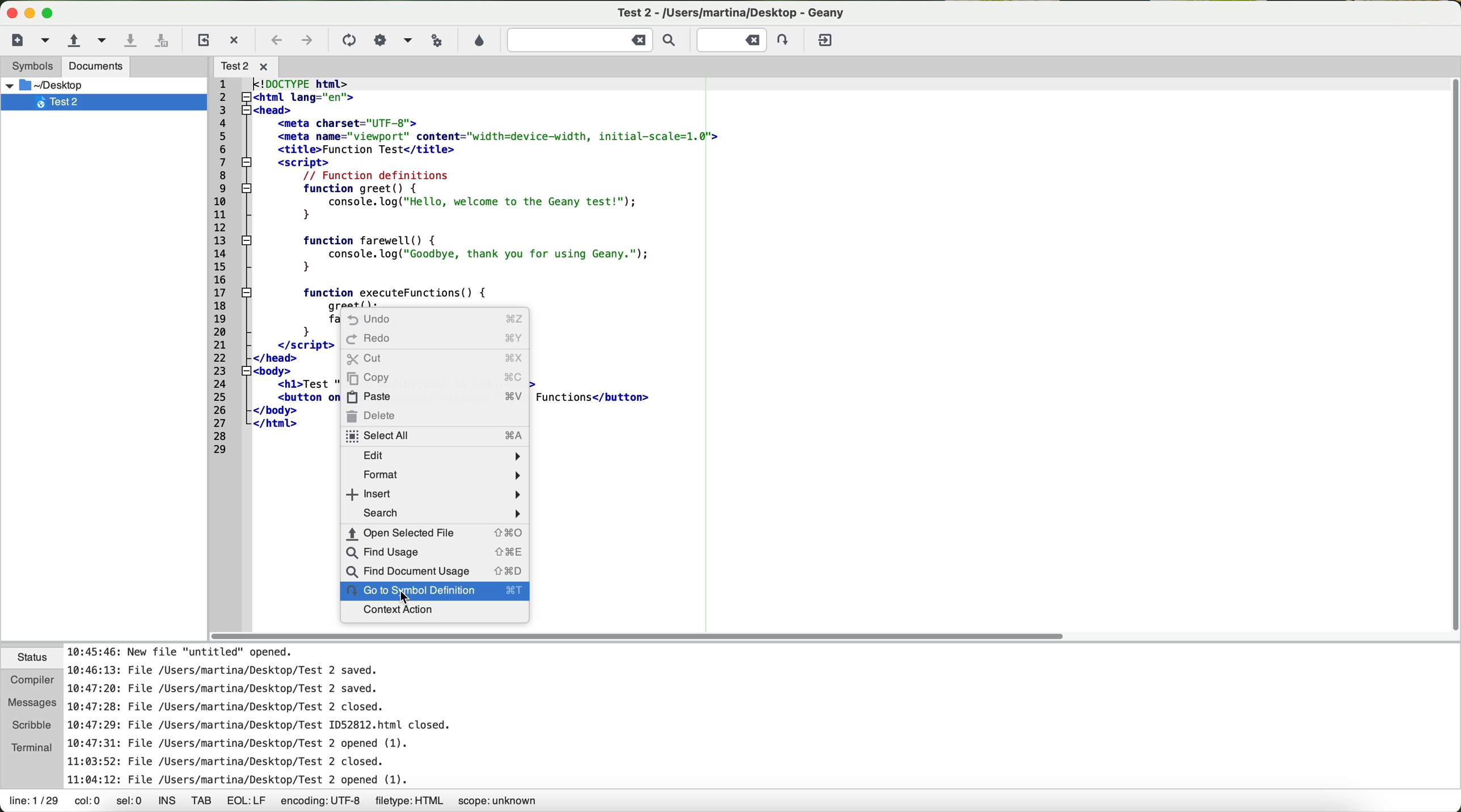  I want to click on format, so click(440, 473).